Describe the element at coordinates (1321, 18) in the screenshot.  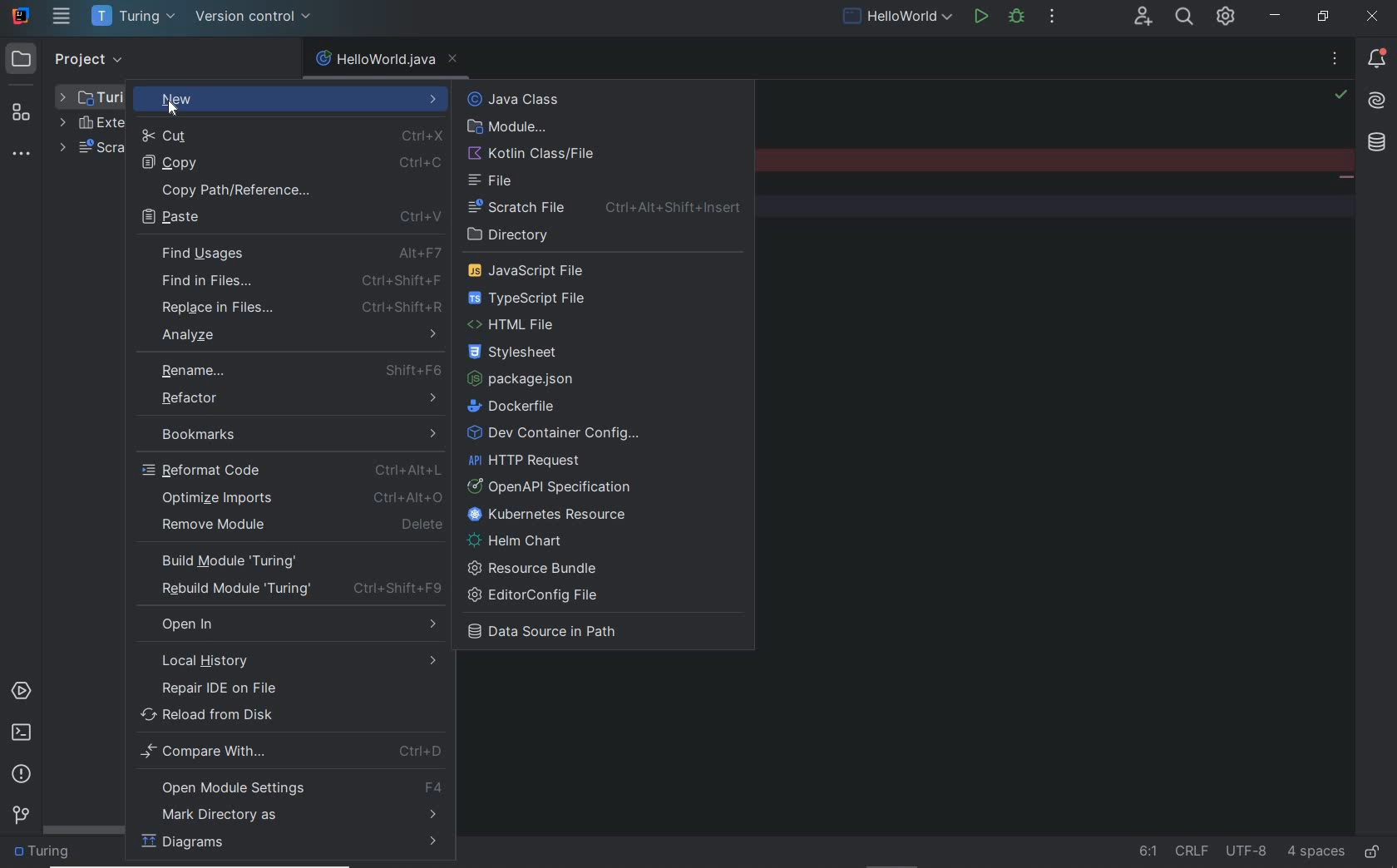
I see `RESTORE DOWN` at that location.